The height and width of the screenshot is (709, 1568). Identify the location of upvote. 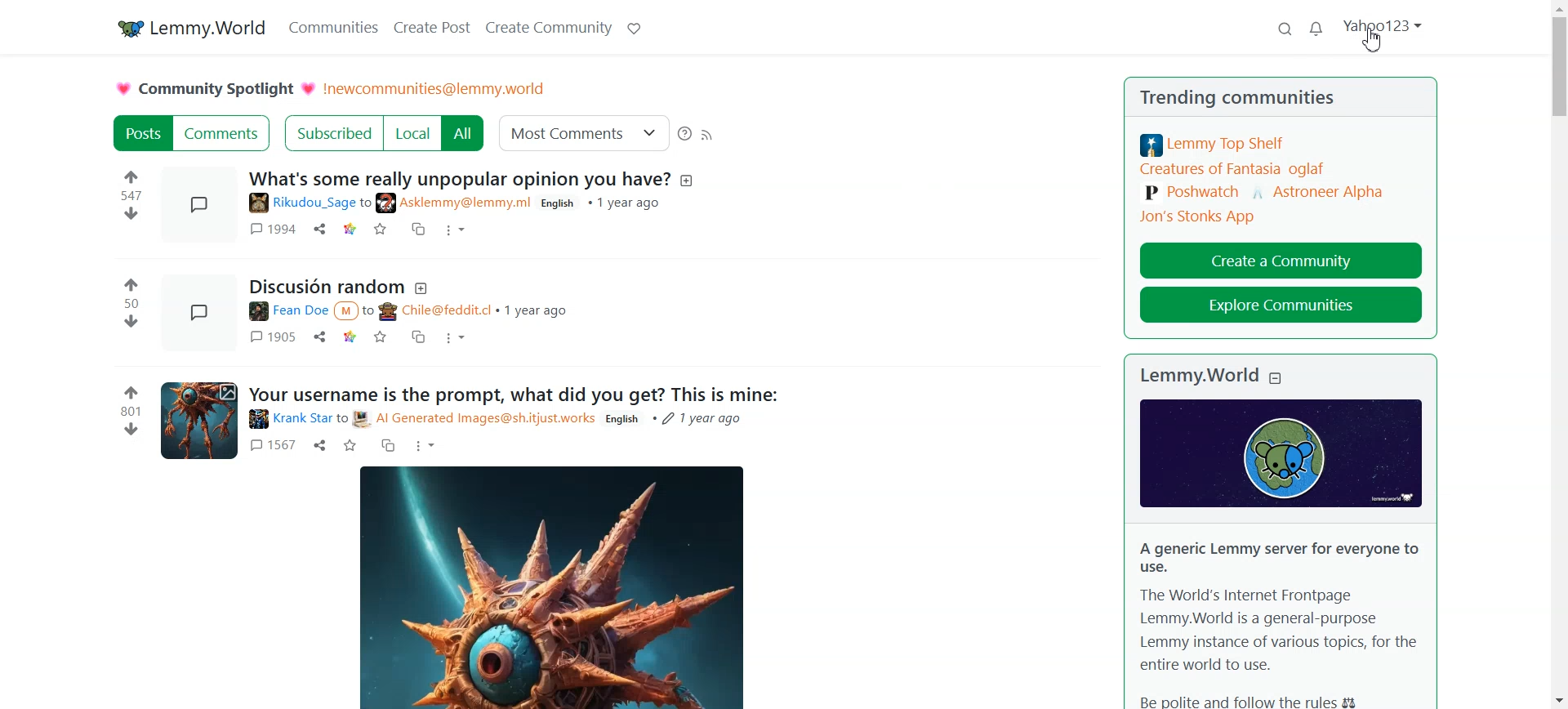
(129, 393).